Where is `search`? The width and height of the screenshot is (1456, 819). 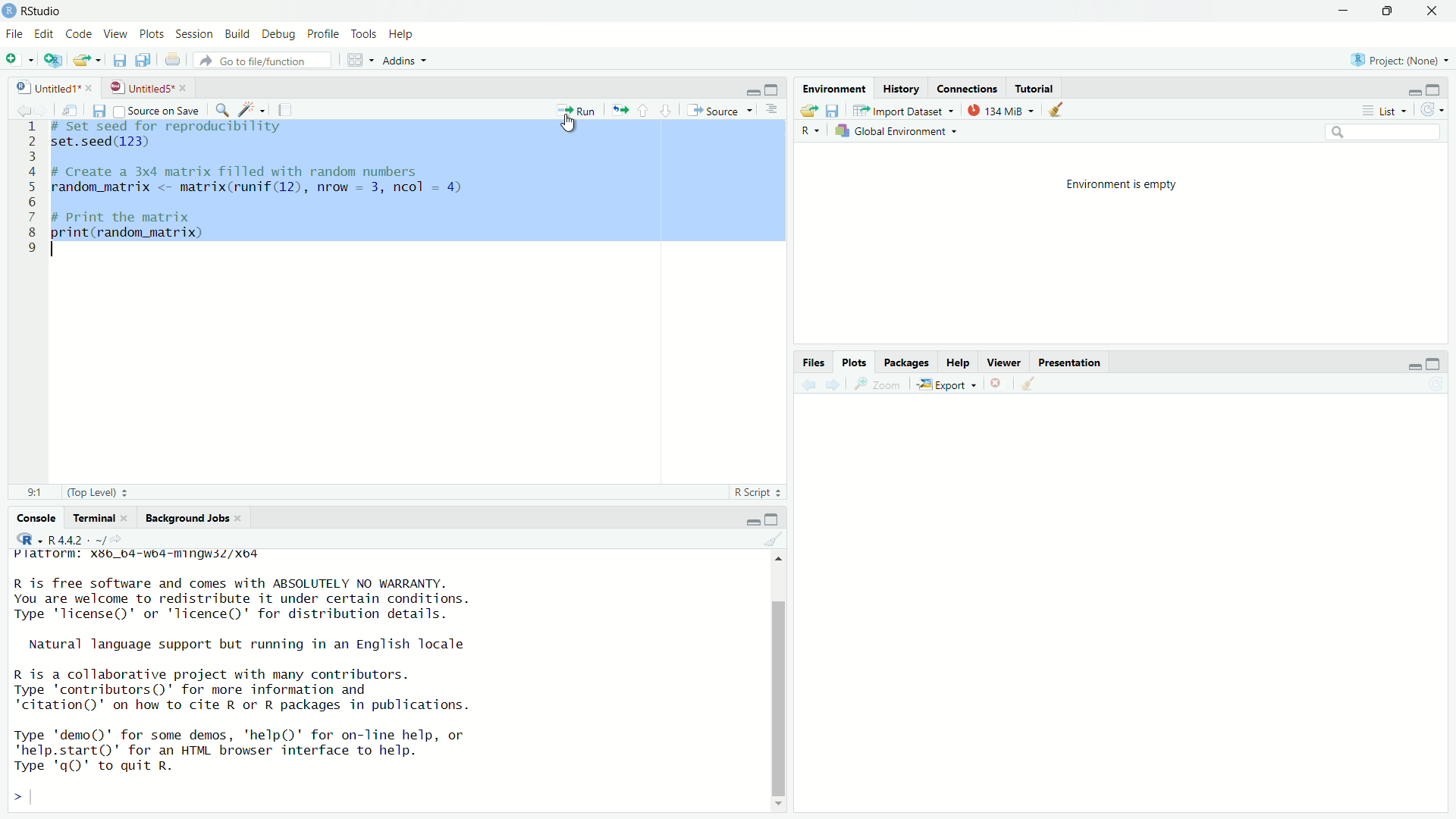 search is located at coordinates (1379, 136).